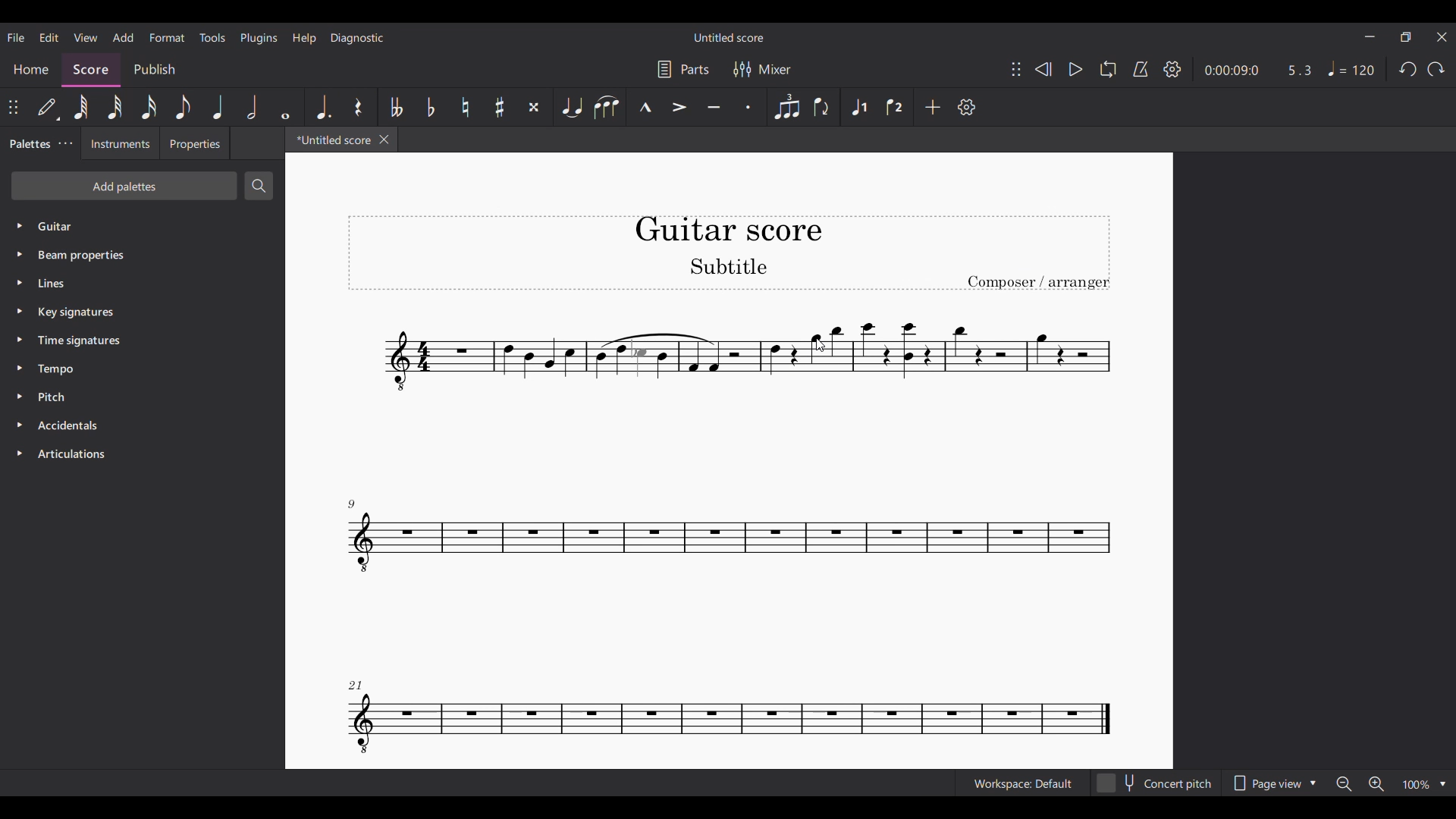 The image size is (1456, 819). What do you see at coordinates (304, 39) in the screenshot?
I see `Help menu` at bounding box center [304, 39].